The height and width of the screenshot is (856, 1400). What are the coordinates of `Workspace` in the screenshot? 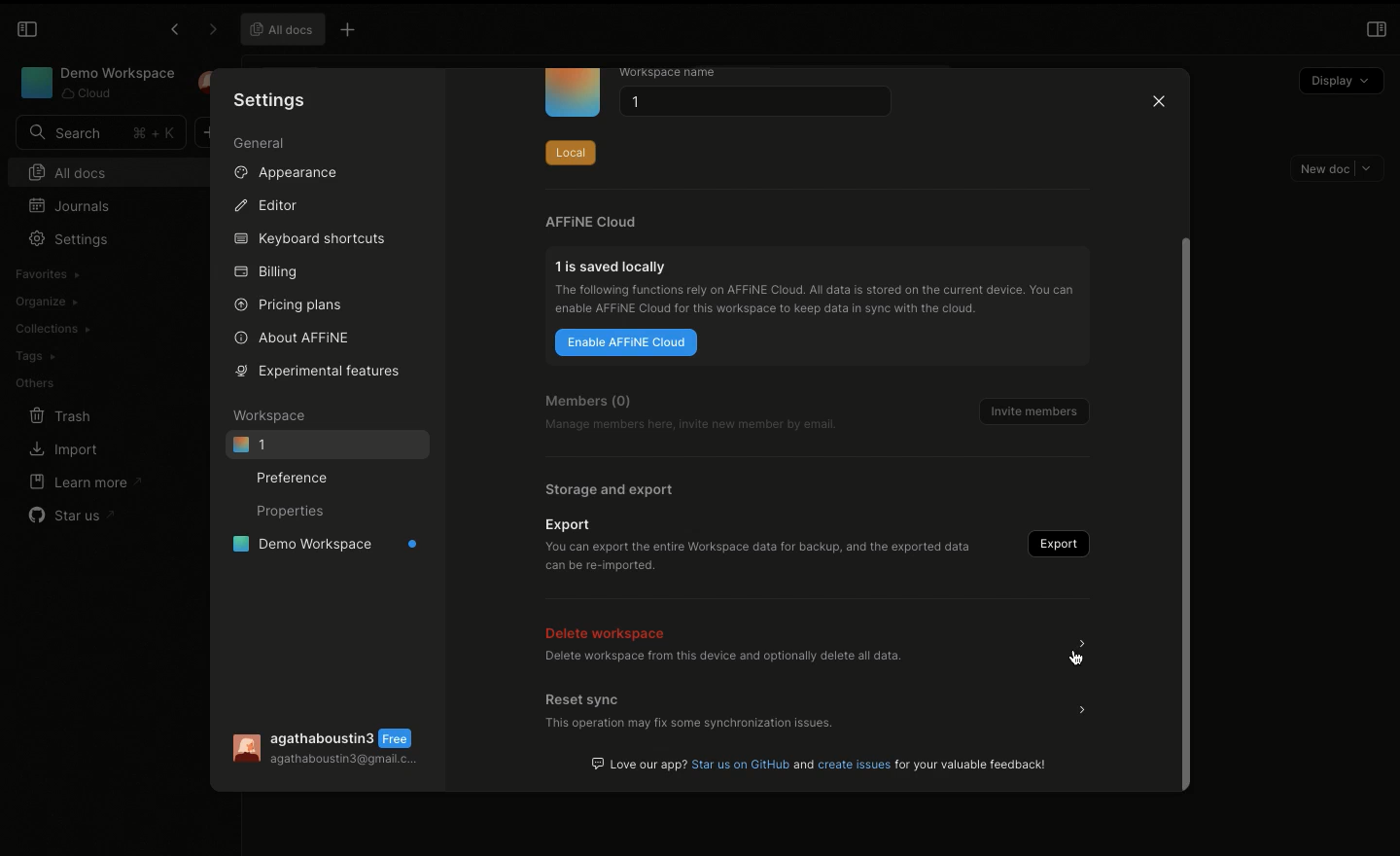 It's located at (273, 415).